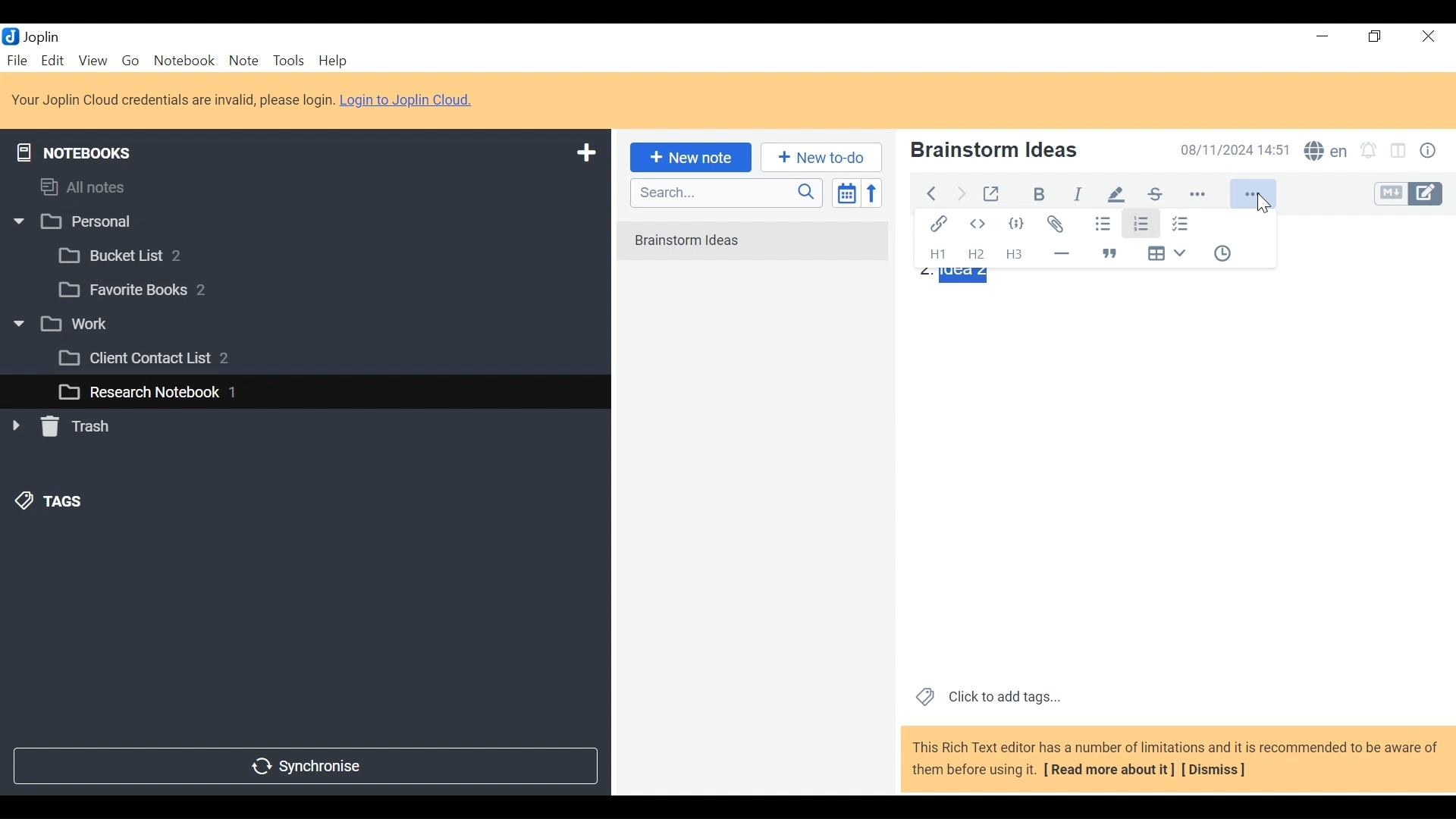 Image resolution: width=1456 pixels, height=819 pixels. I want to click on Reverse Sort order, so click(875, 193).